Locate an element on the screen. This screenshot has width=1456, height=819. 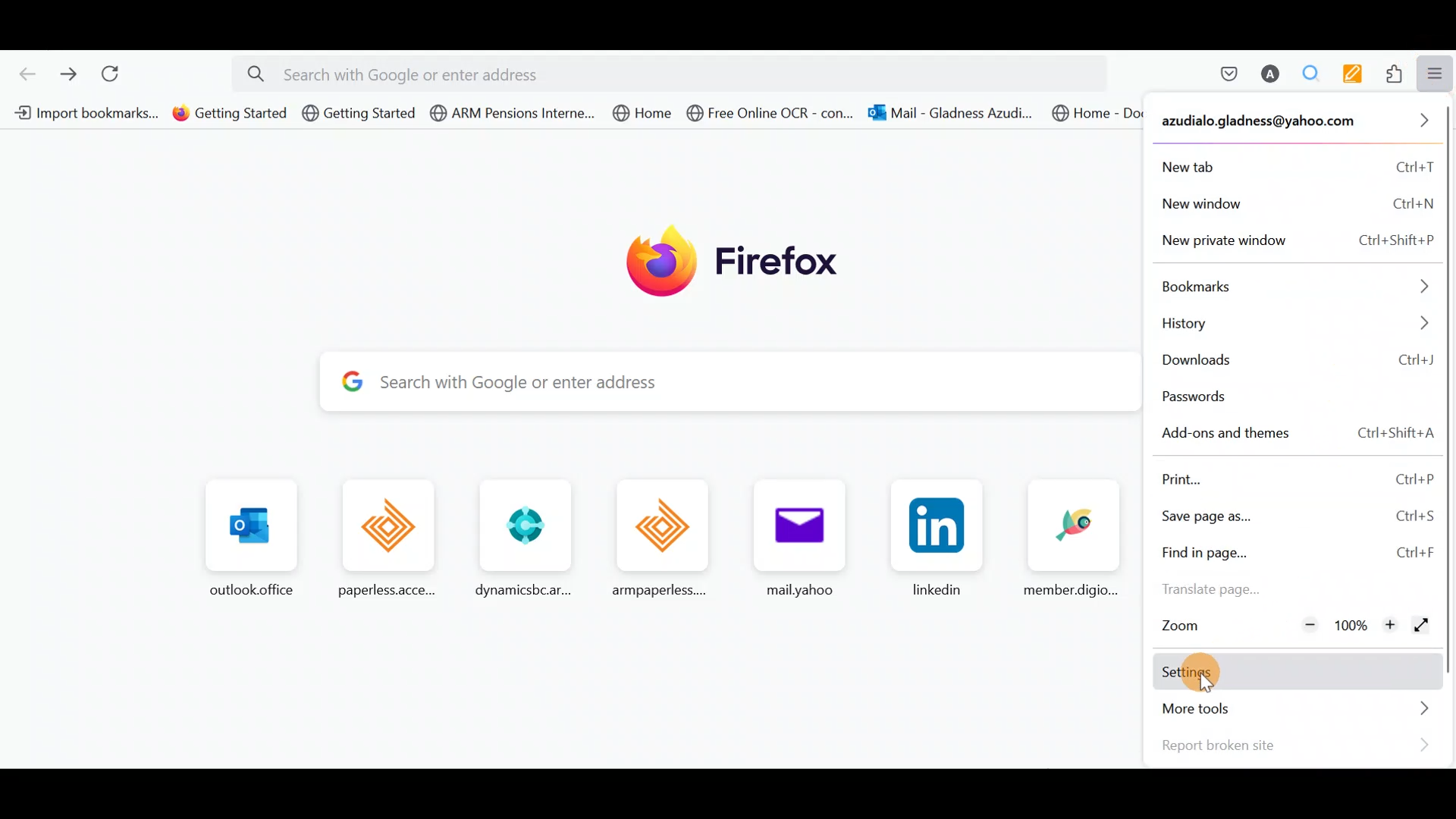
Reload current page is located at coordinates (115, 74).